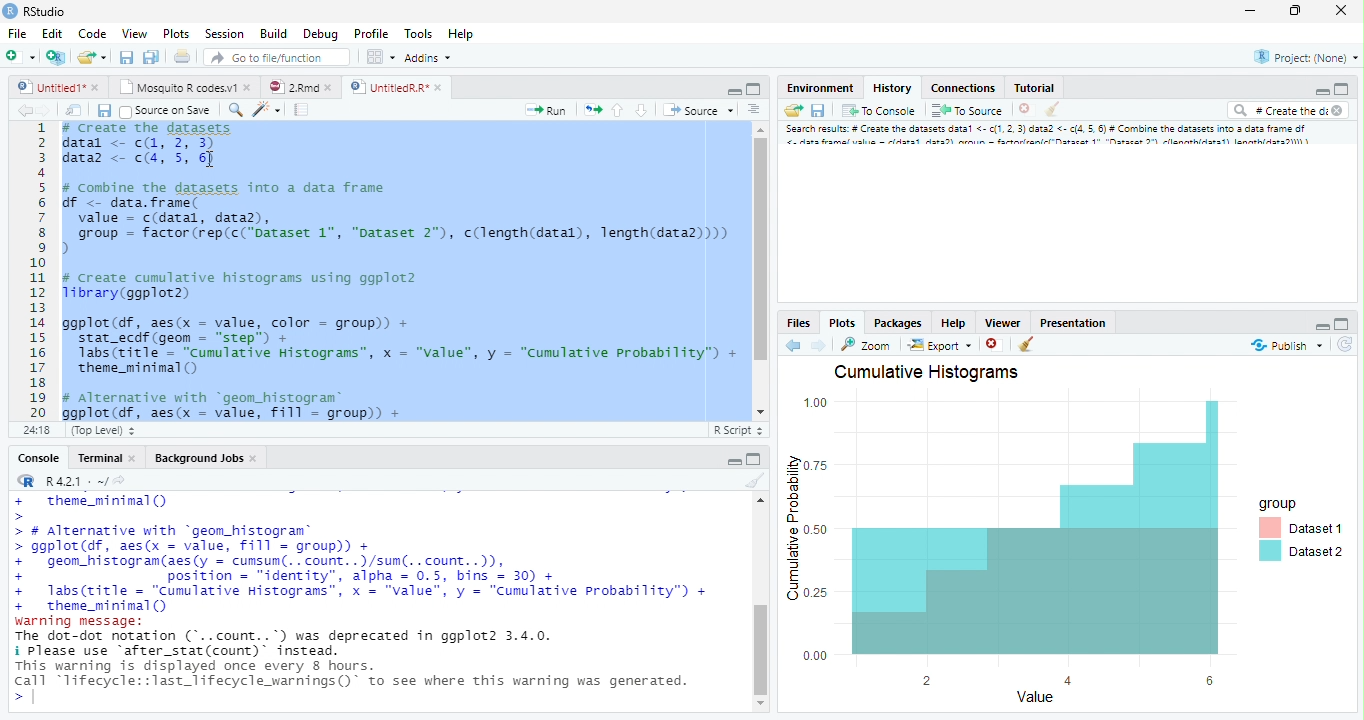  Describe the element at coordinates (818, 347) in the screenshot. I see `Next` at that location.